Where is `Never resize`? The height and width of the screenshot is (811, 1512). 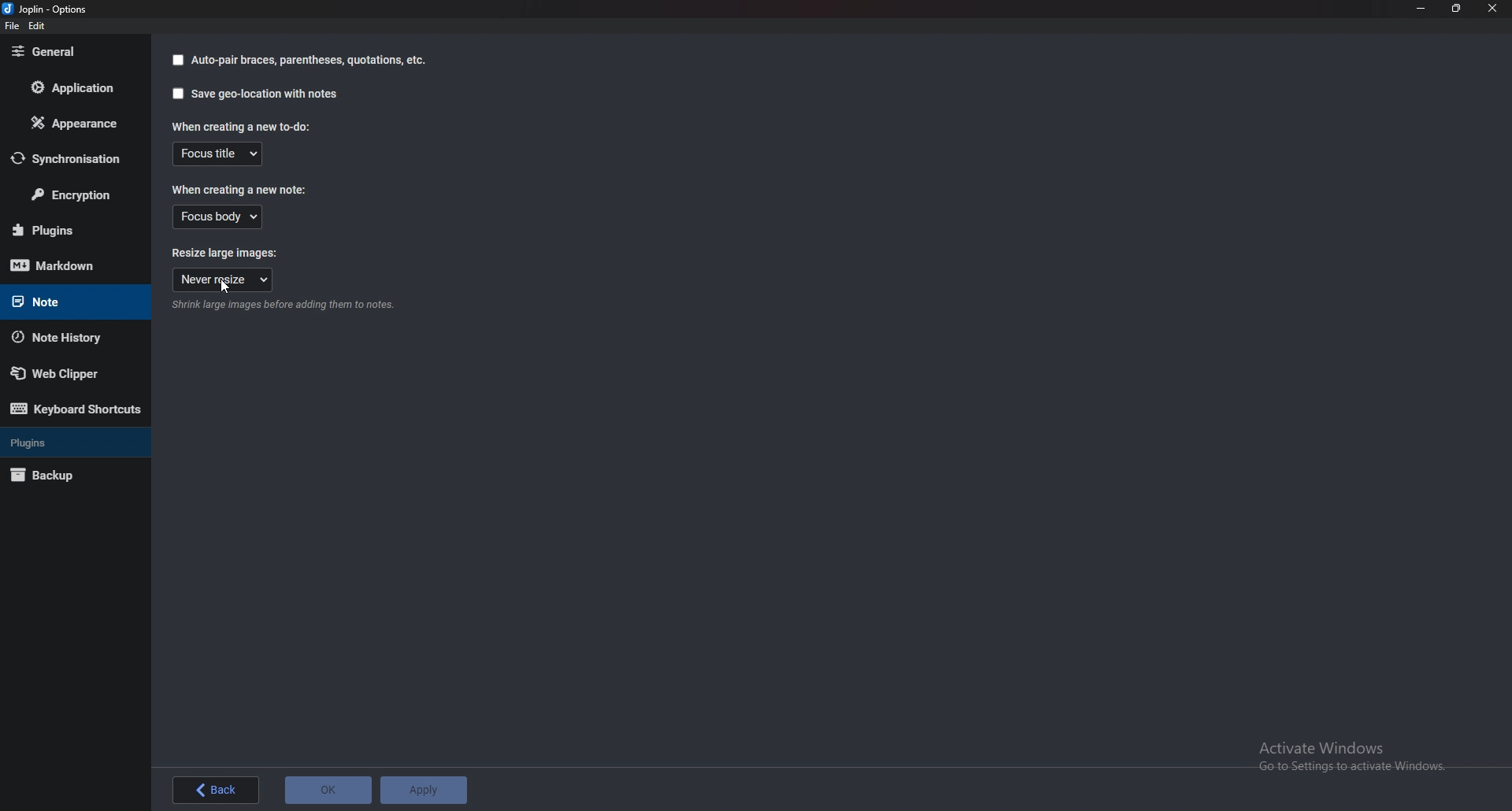 Never resize is located at coordinates (223, 280).